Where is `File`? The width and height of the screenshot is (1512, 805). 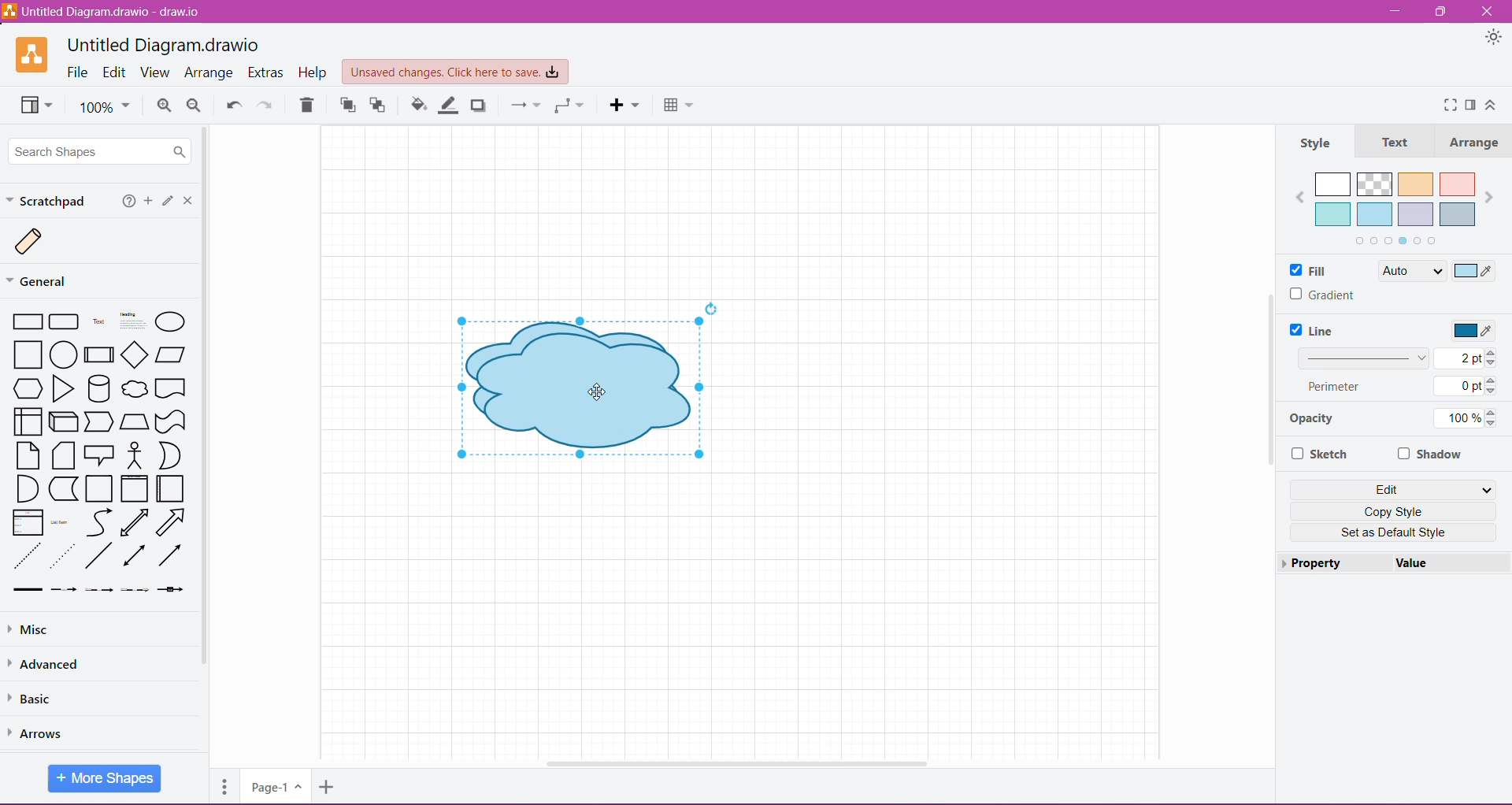 File is located at coordinates (76, 72).